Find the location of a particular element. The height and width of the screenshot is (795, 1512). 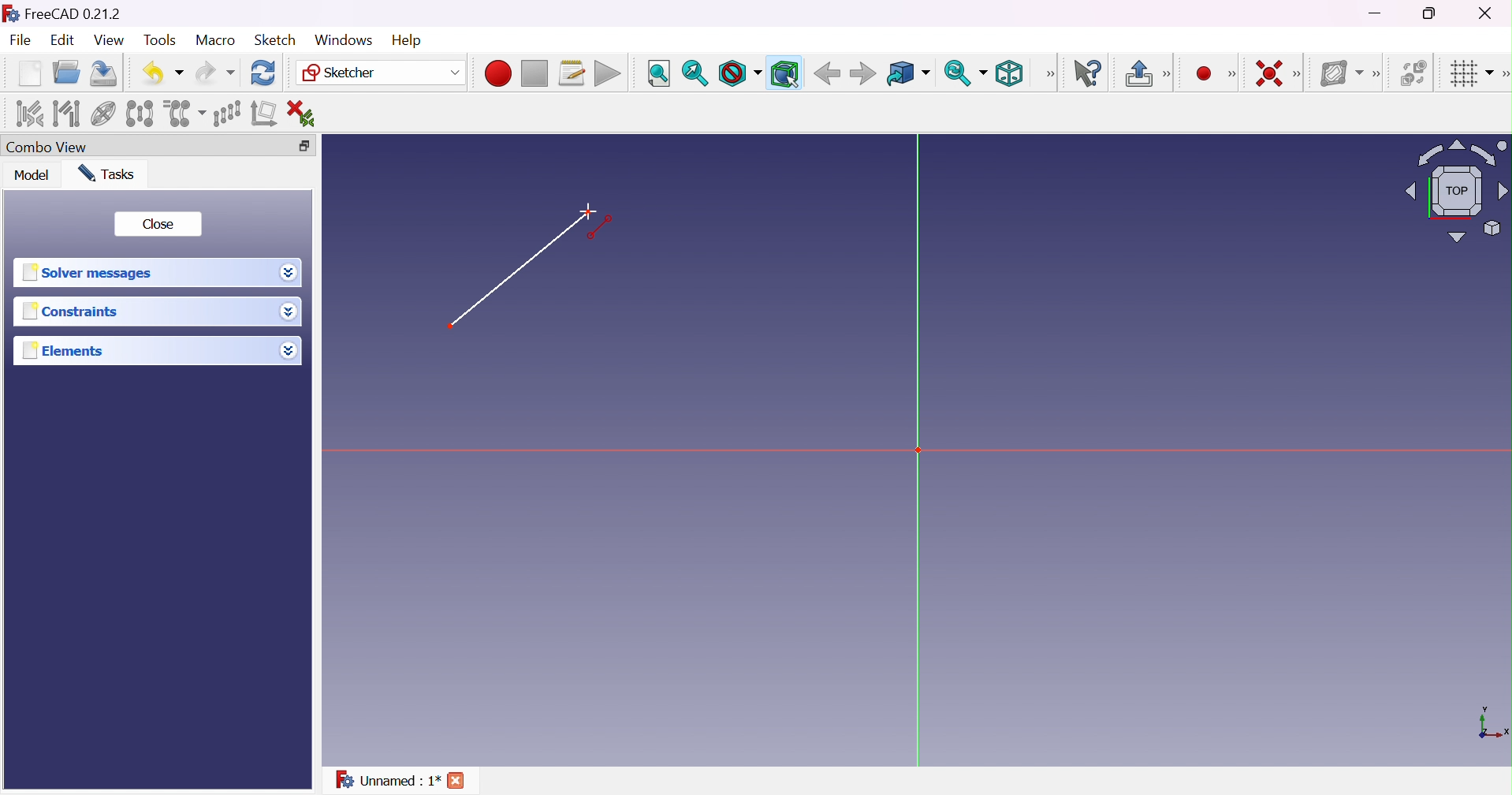

Rectangular array is located at coordinates (225, 113).